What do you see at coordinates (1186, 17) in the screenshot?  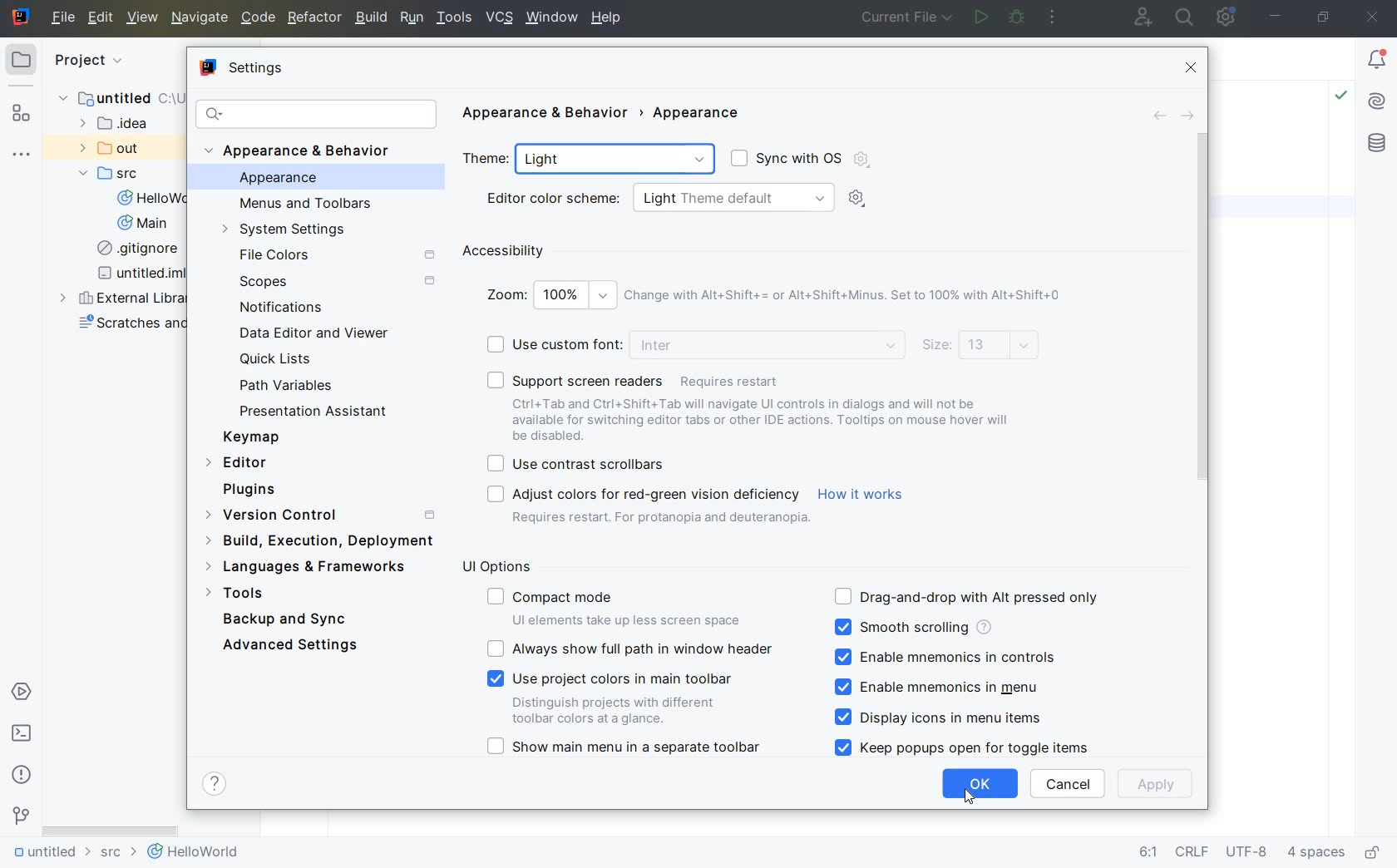 I see `SEARCH` at bounding box center [1186, 17].